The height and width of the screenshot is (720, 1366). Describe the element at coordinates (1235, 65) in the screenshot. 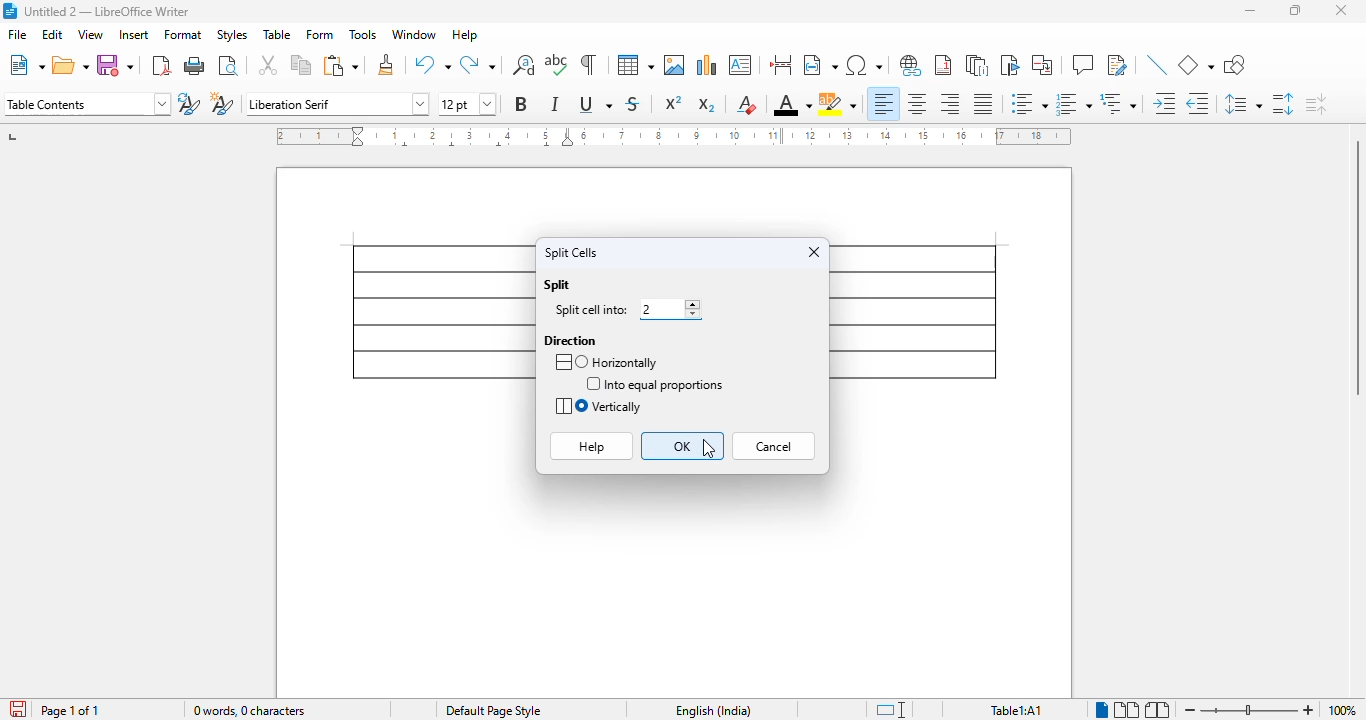

I see `show draw functions` at that location.